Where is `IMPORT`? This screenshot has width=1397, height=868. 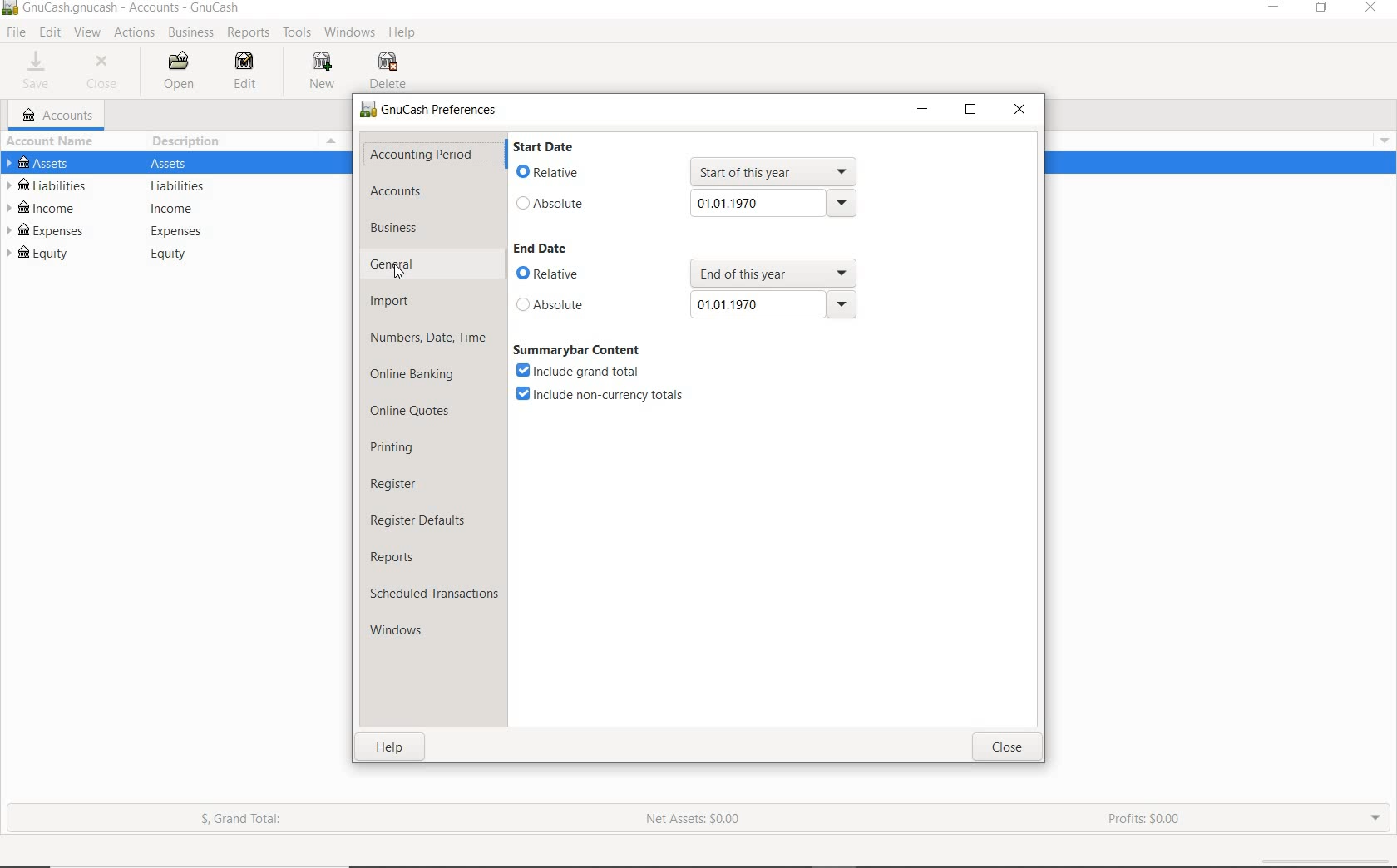
IMPORT is located at coordinates (390, 300).